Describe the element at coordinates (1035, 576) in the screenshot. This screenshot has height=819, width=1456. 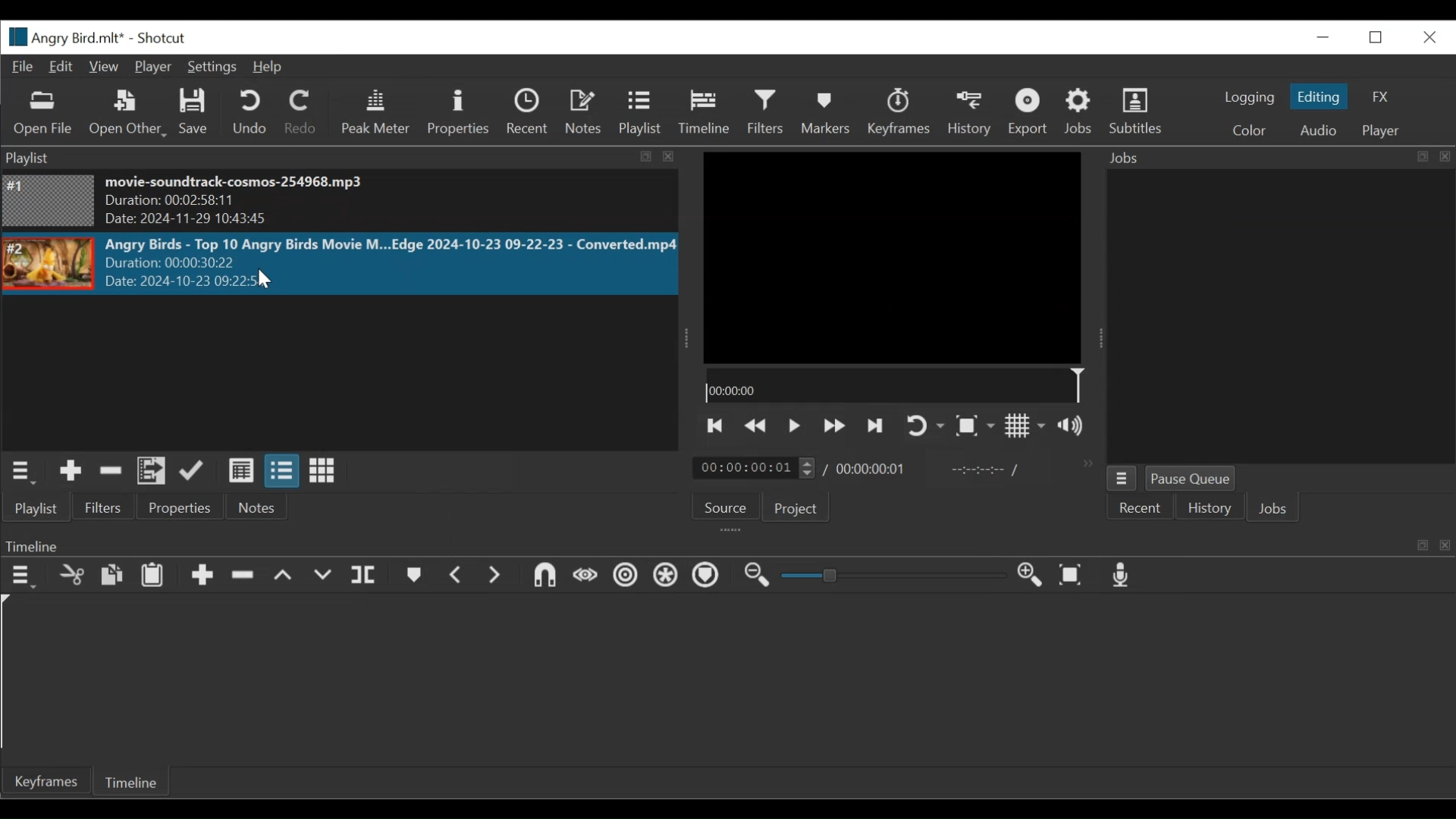
I see `Zoom in ` at that location.